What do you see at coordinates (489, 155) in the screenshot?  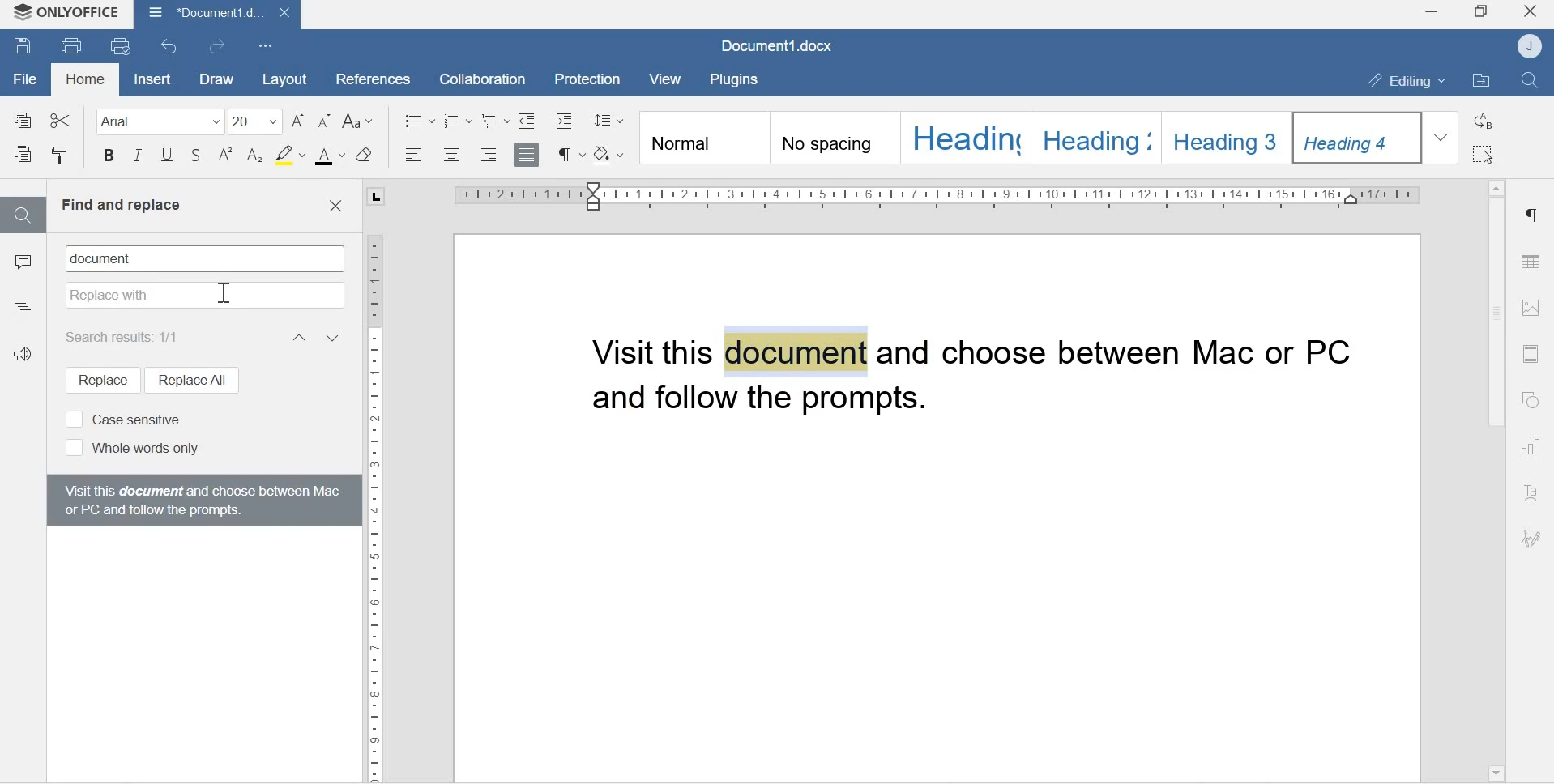 I see `Align right` at bounding box center [489, 155].